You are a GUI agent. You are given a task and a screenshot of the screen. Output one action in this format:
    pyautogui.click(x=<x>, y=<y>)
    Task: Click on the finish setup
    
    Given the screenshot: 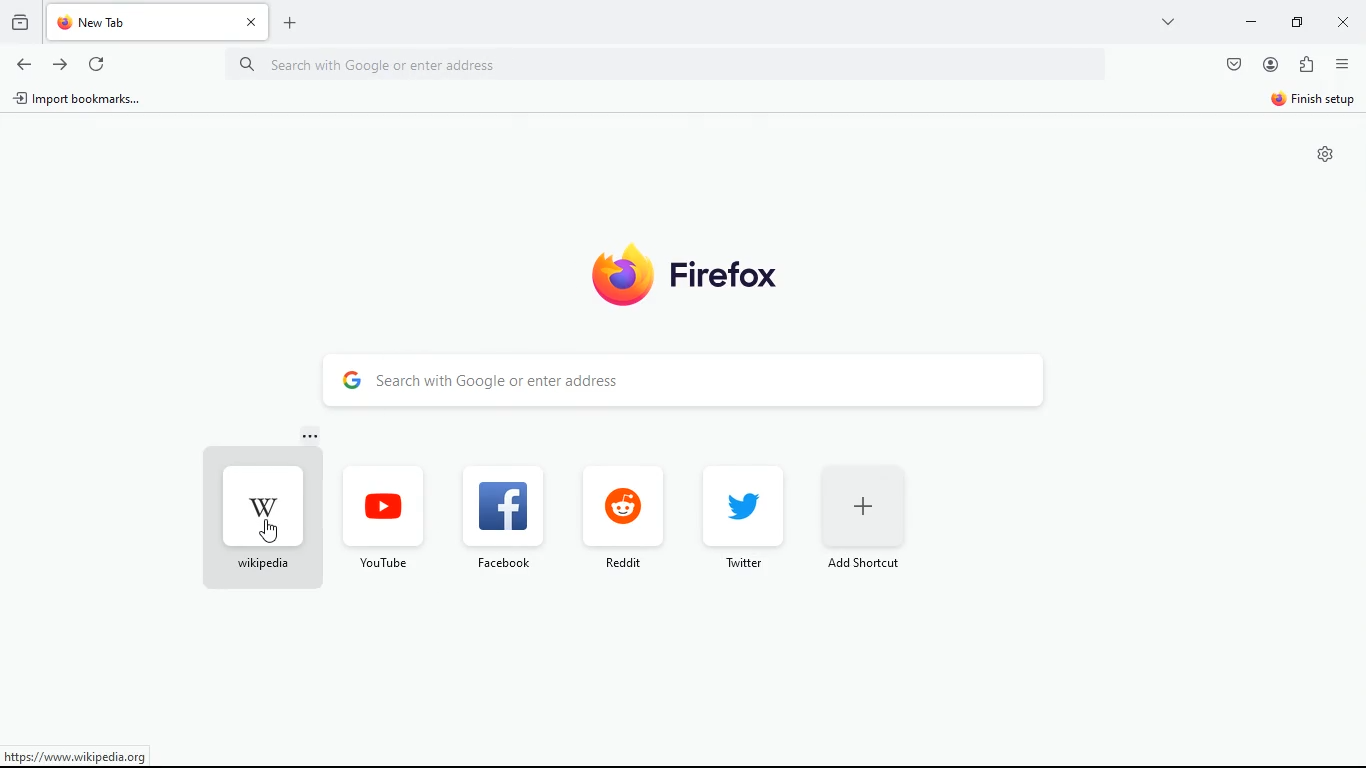 What is the action you would take?
    pyautogui.click(x=1308, y=98)
    